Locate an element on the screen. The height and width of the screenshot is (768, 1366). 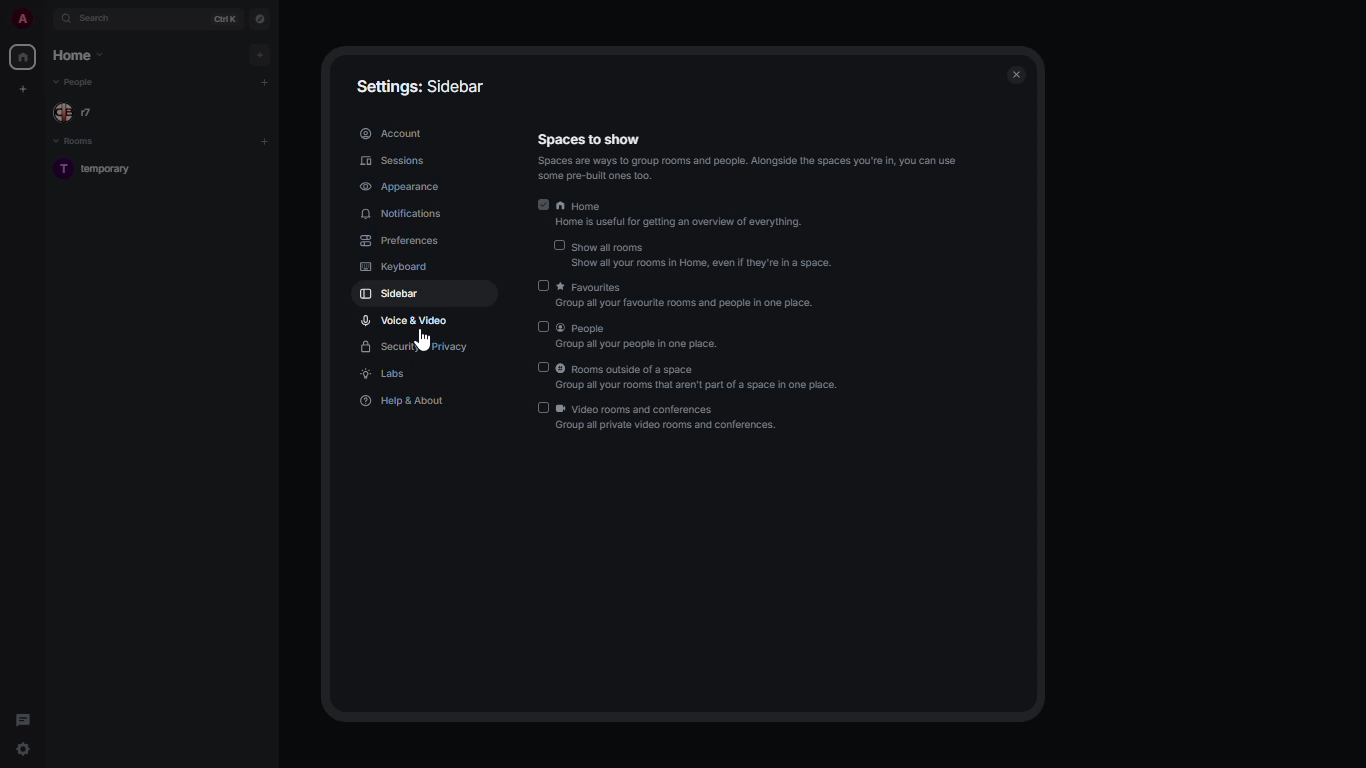
add is located at coordinates (265, 142).